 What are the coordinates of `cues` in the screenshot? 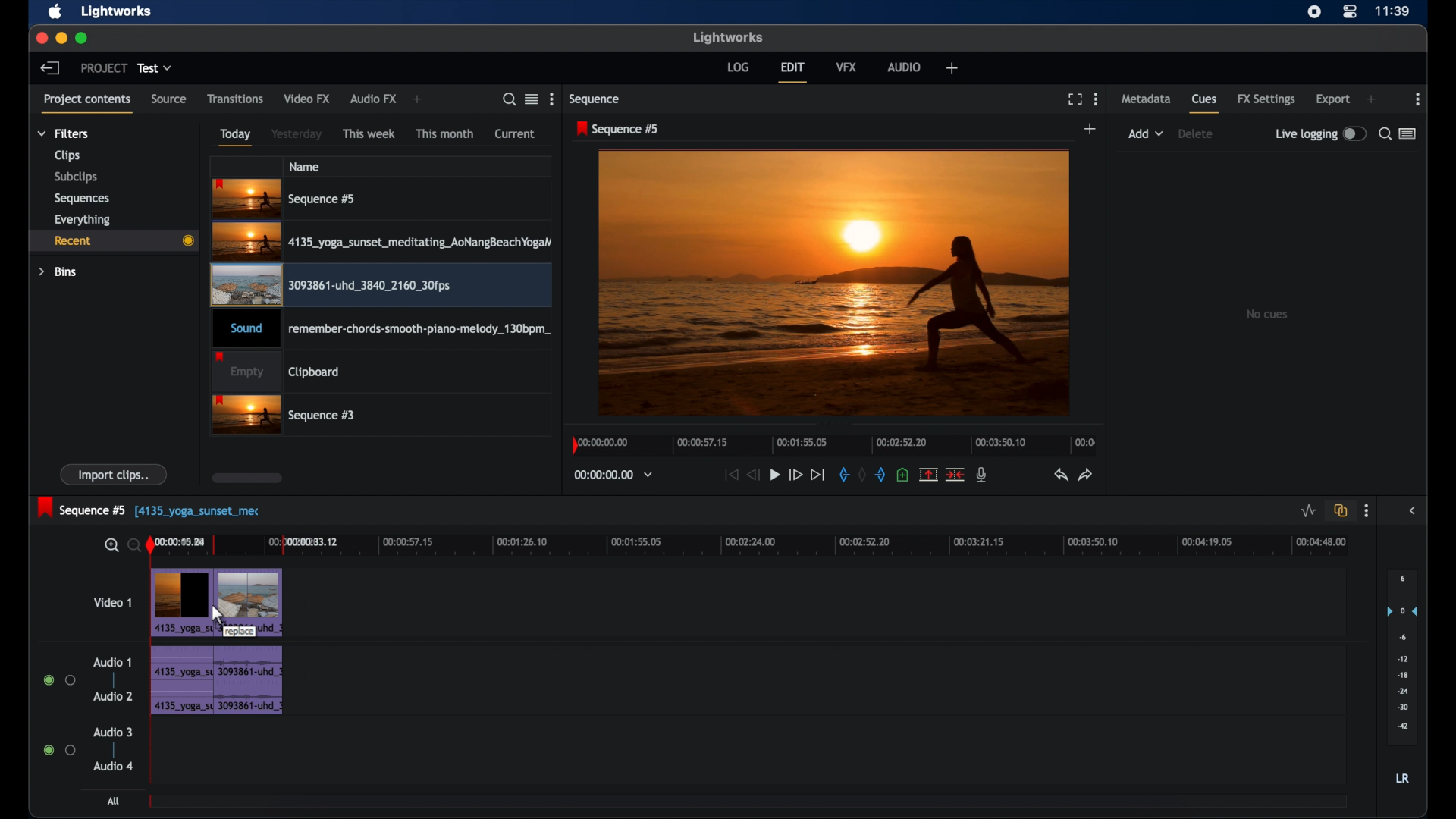 It's located at (1205, 104).